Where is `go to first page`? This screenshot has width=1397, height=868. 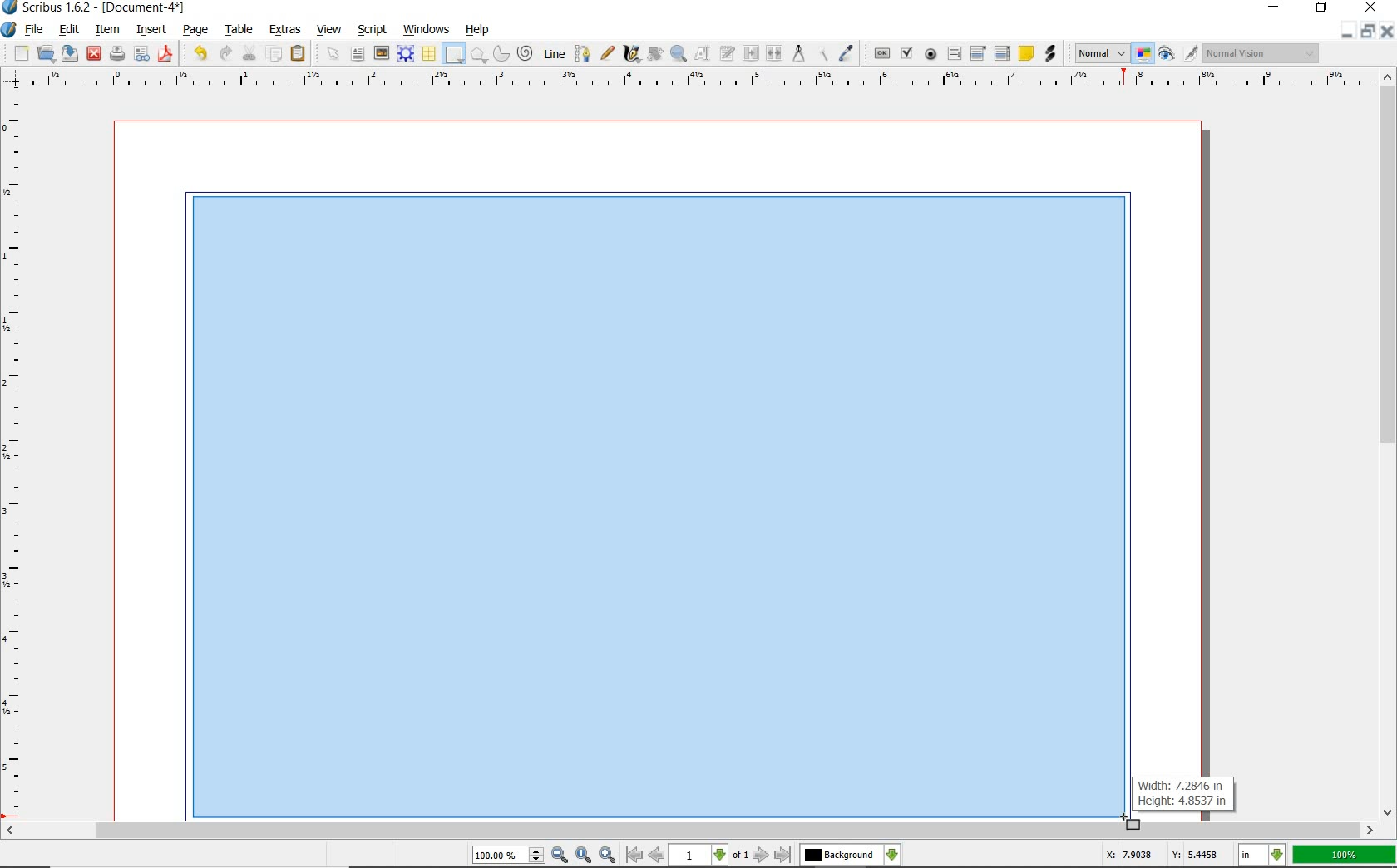 go to first page is located at coordinates (635, 856).